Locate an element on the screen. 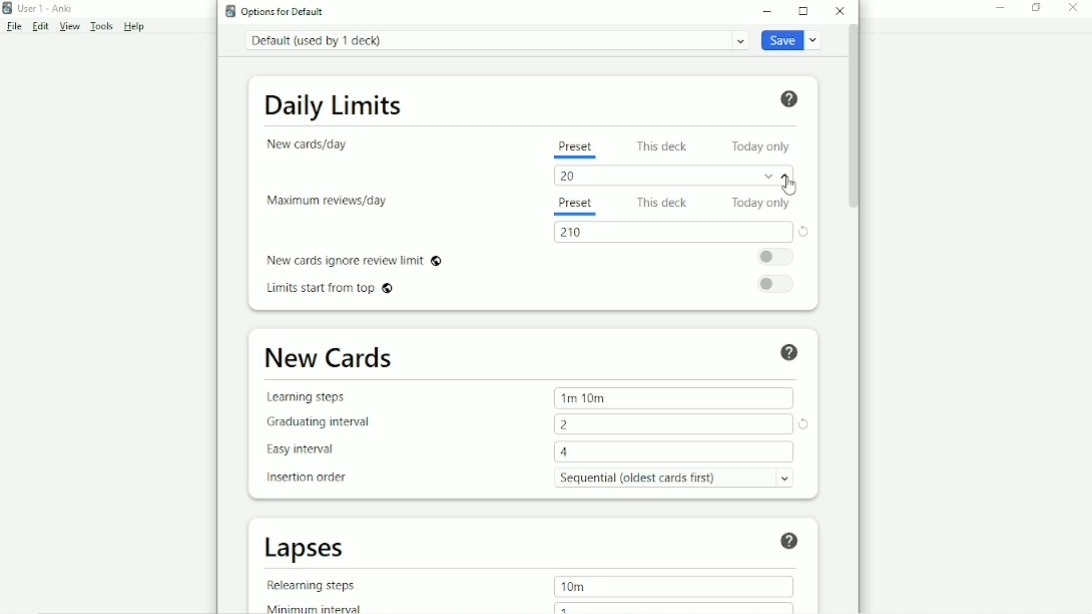 This screenshot has width=1092, height=614. Insertion order is located at coordinates (308, 478).